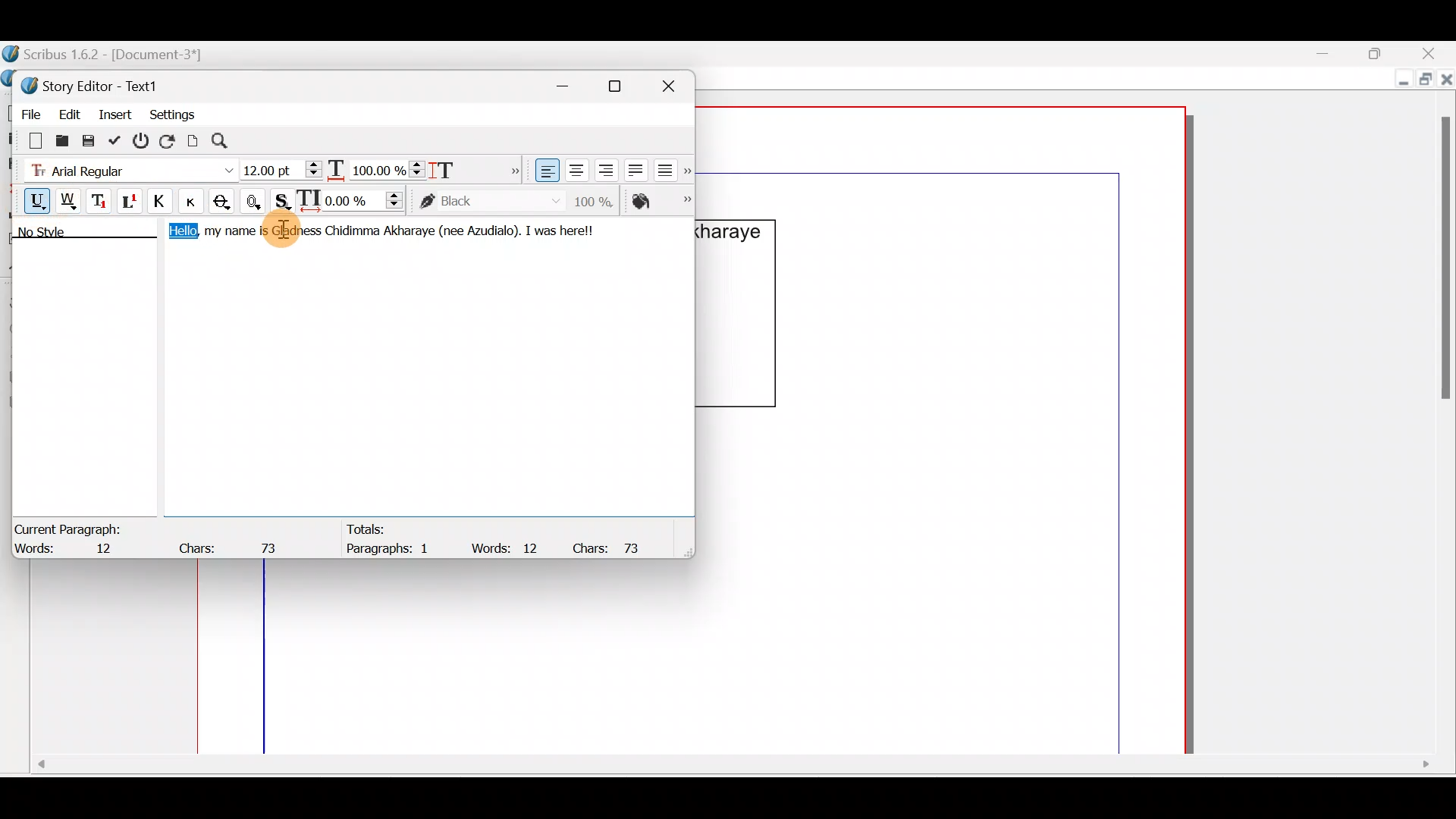 Image resolution: width=1456 pixels, height=819 pixels. What do you see at coordinates (30, 199) in the screenshot?
I see `Underline` at bounding box center [30, 199].